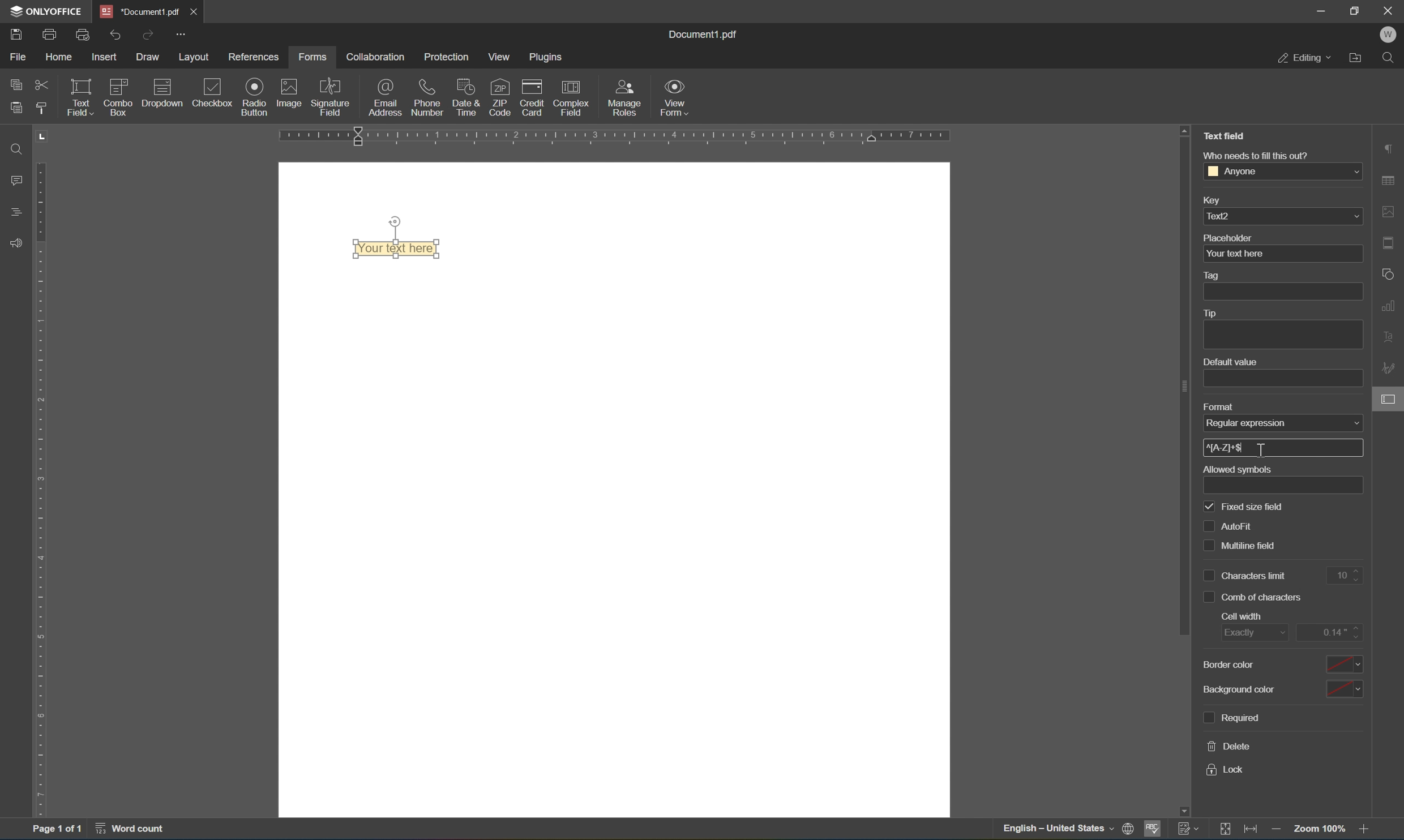 The height and width of the screenshot is (840, 1404). What do you see at coordinates (1346, 665) in the screenshot?
I see `color` at bounding box center [1346, 665].